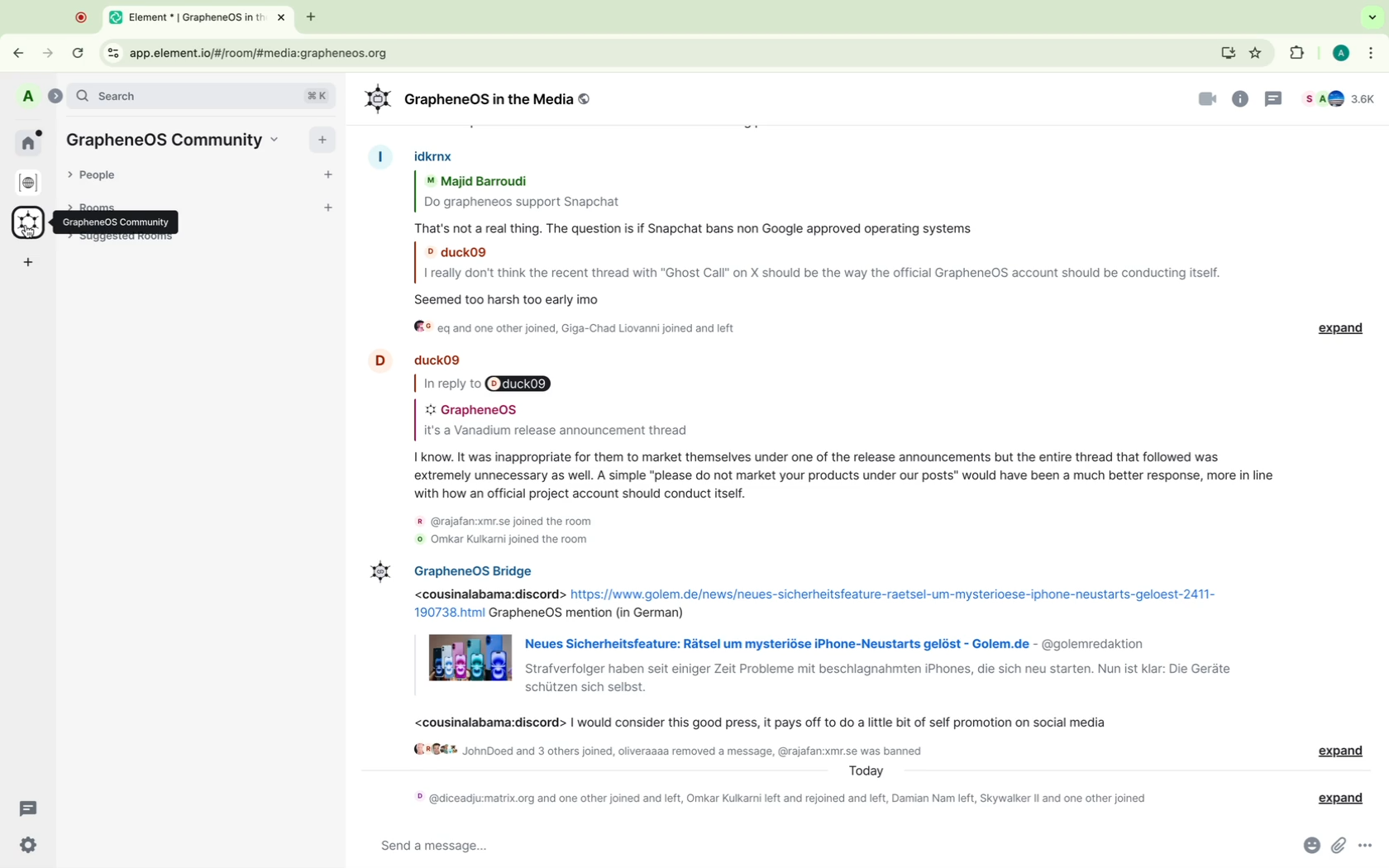 The height and width of the screenshot is (868, 1389). I want to click on expand, so click(1334, 797).